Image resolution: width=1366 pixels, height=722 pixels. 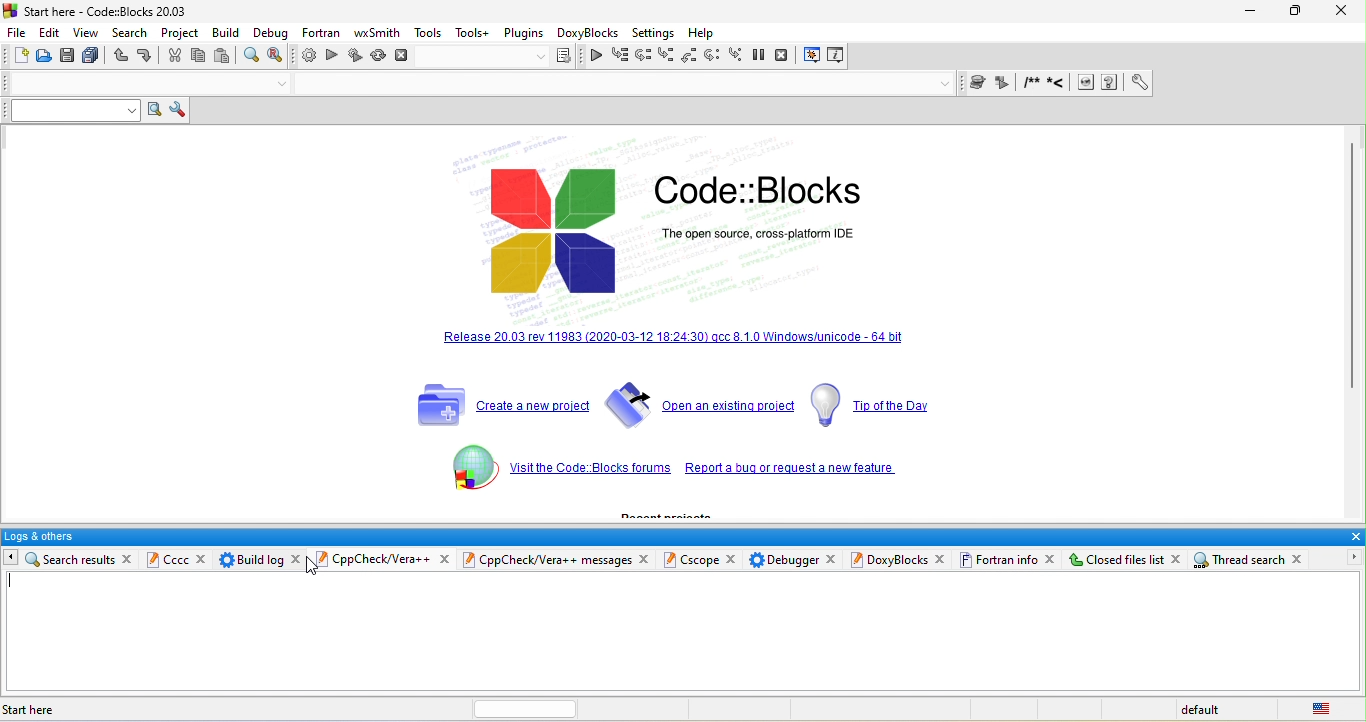 What do you see at coordinates (784, 56) in the screenshot?
I see `stop debugger` at bounding box center [784, 56].